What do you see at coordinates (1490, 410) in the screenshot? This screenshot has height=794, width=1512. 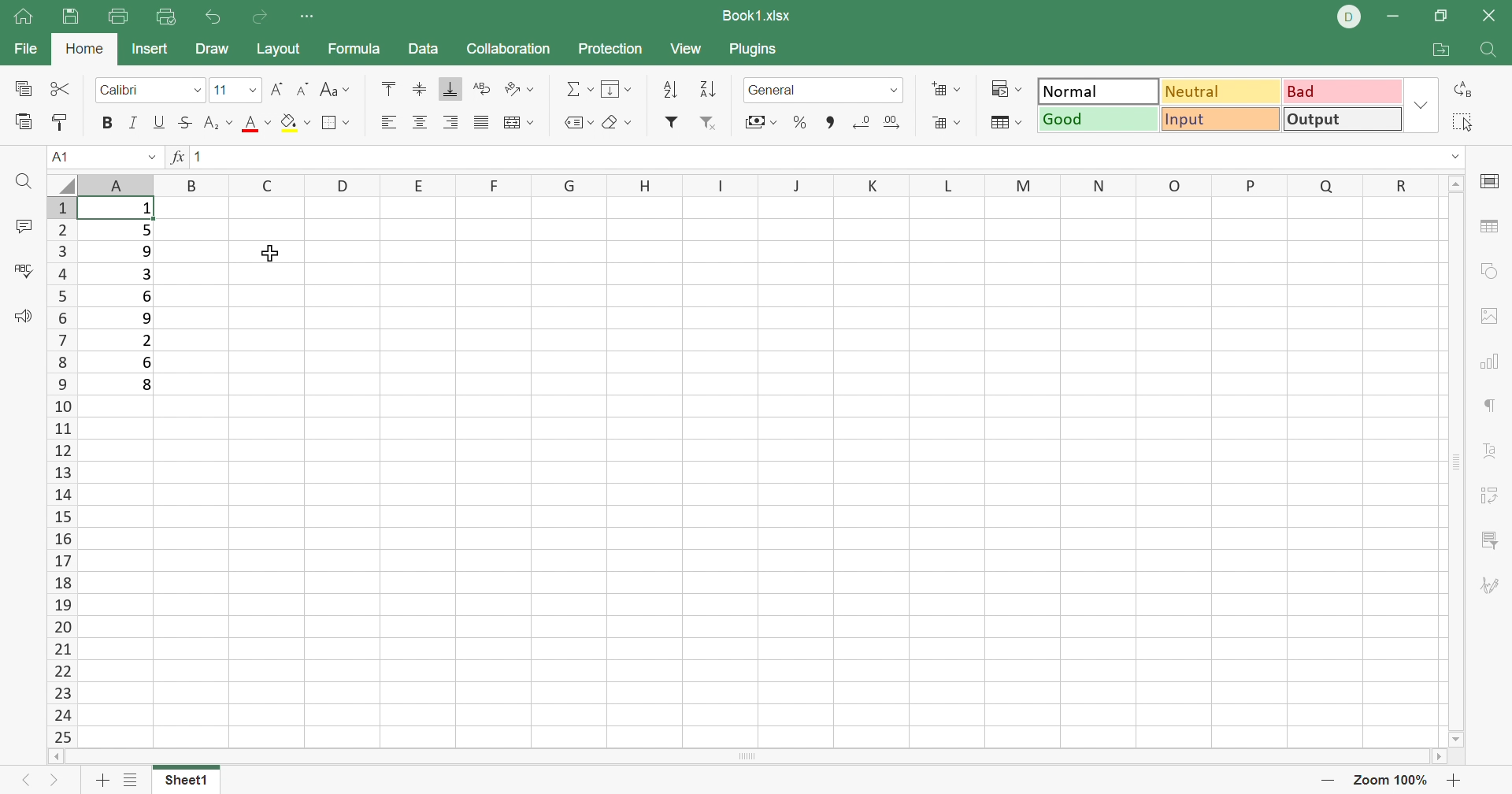 I see `Paragraph settings` at bounding box center [1490, 410].